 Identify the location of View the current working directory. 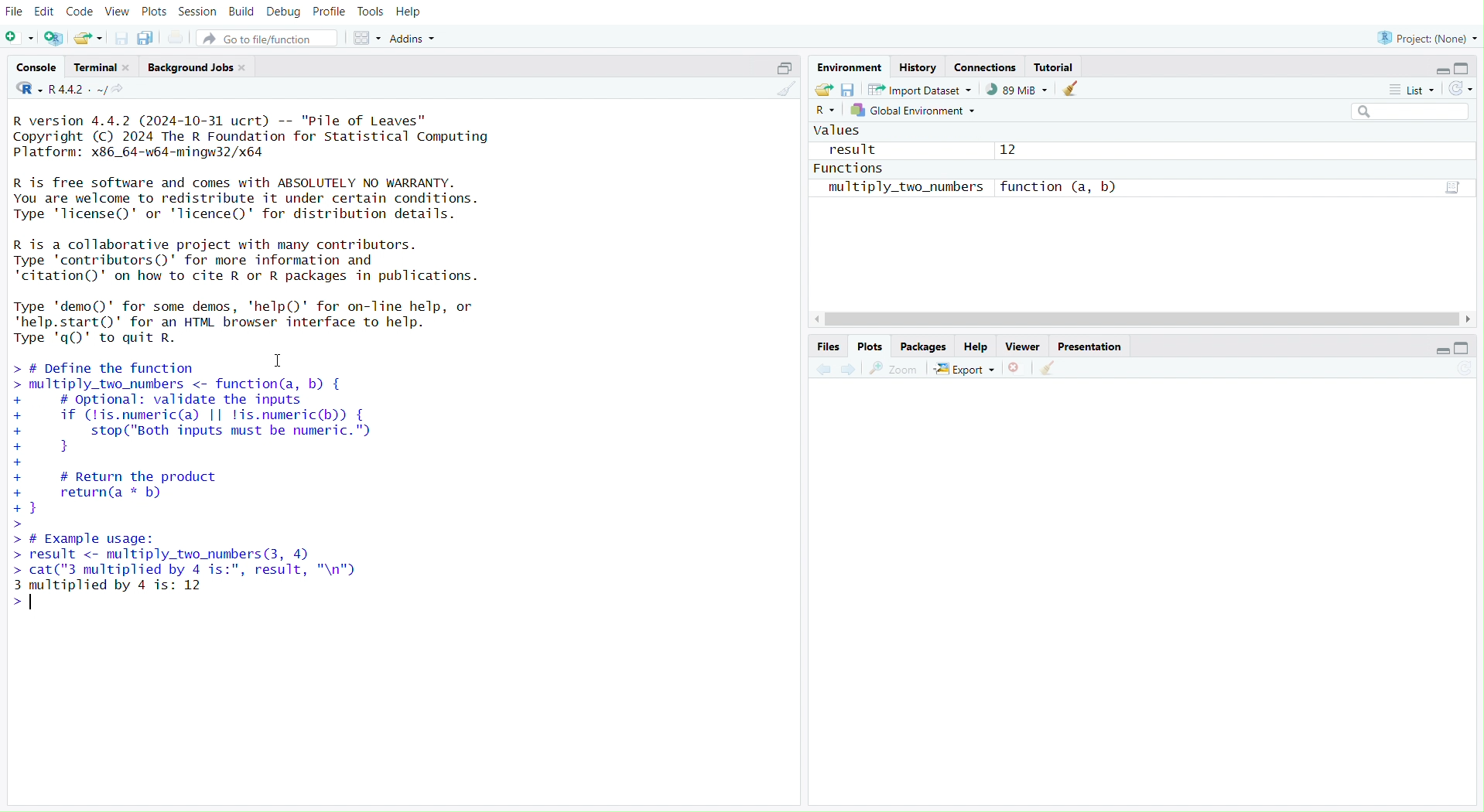
(128, 93).